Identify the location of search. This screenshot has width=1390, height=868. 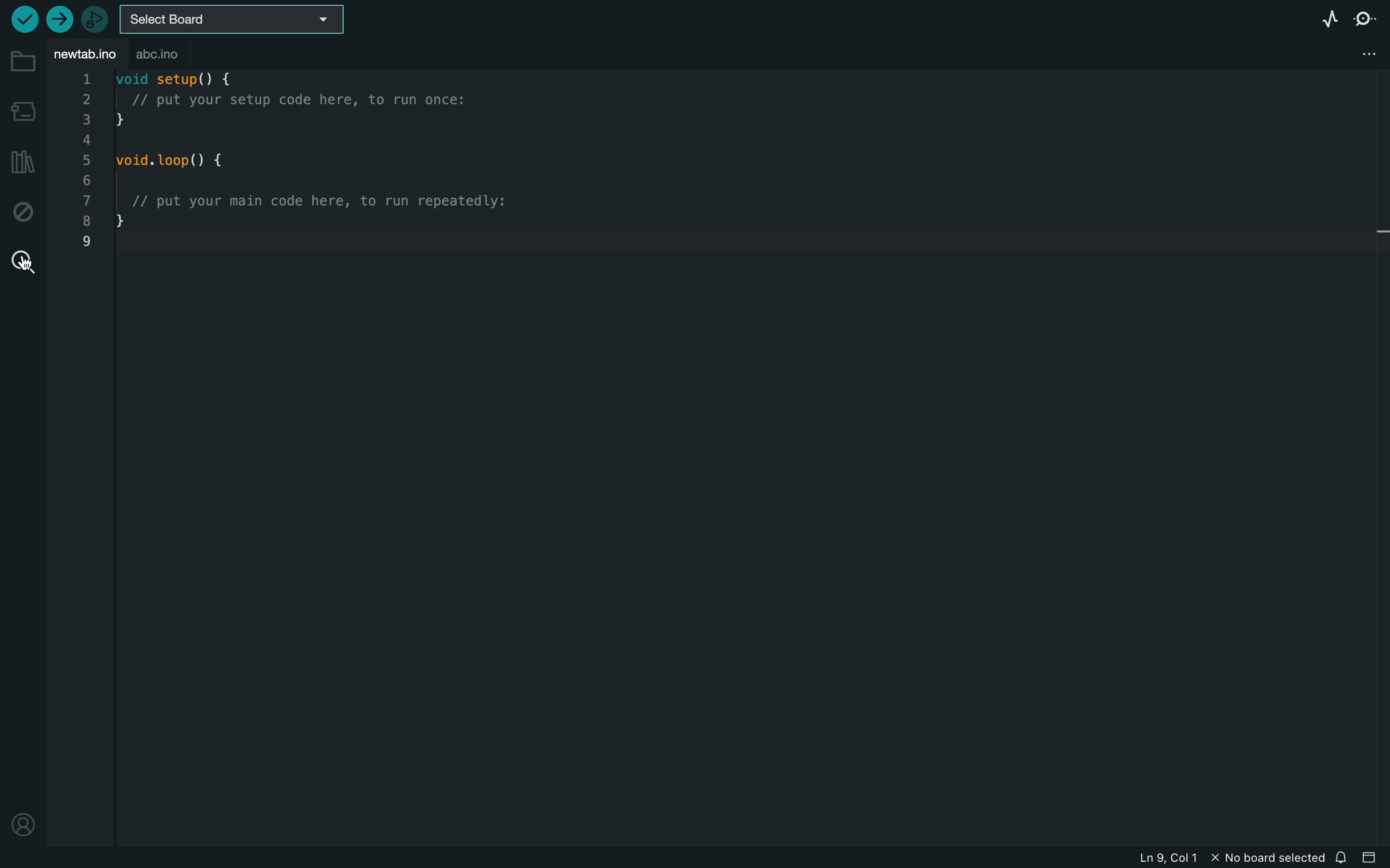
(20, 260).